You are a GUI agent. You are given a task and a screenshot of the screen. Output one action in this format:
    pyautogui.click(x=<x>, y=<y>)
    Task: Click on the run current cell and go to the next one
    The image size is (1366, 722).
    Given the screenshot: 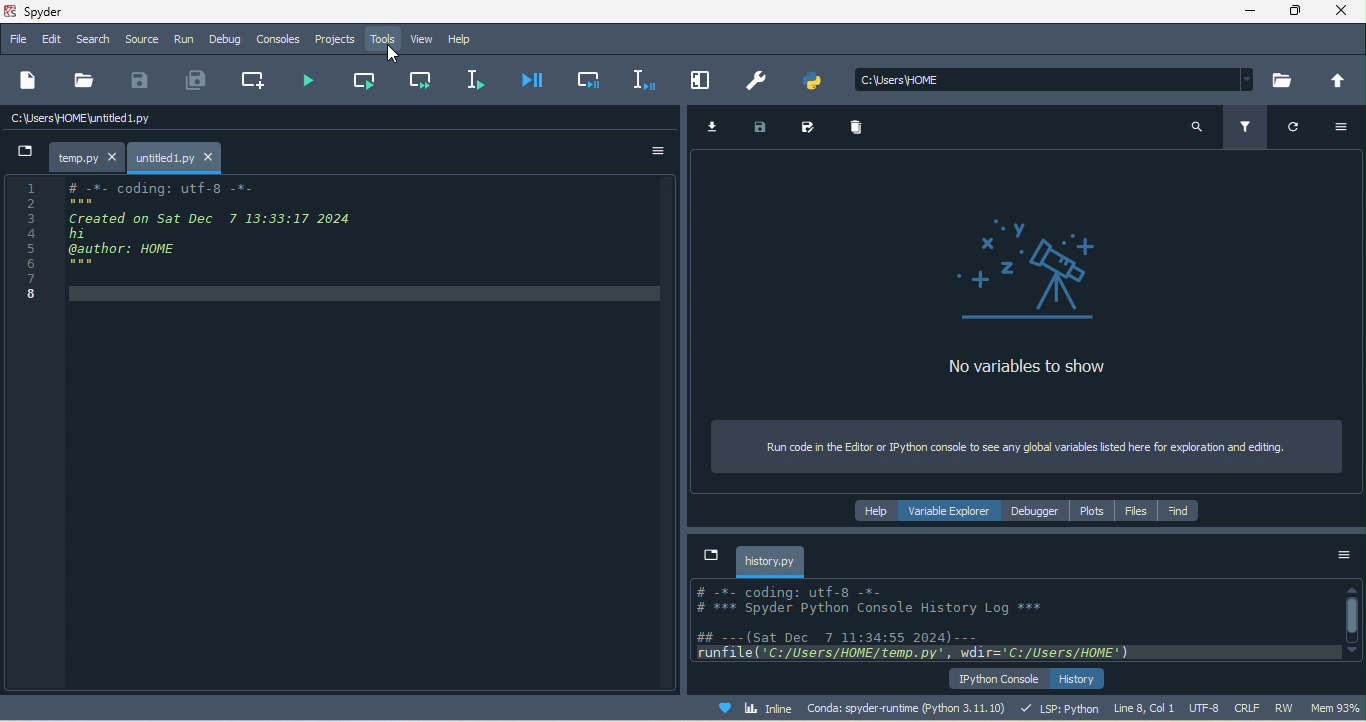 What is the action you would take?
    pyautogui.click(x=418, y=78)
    